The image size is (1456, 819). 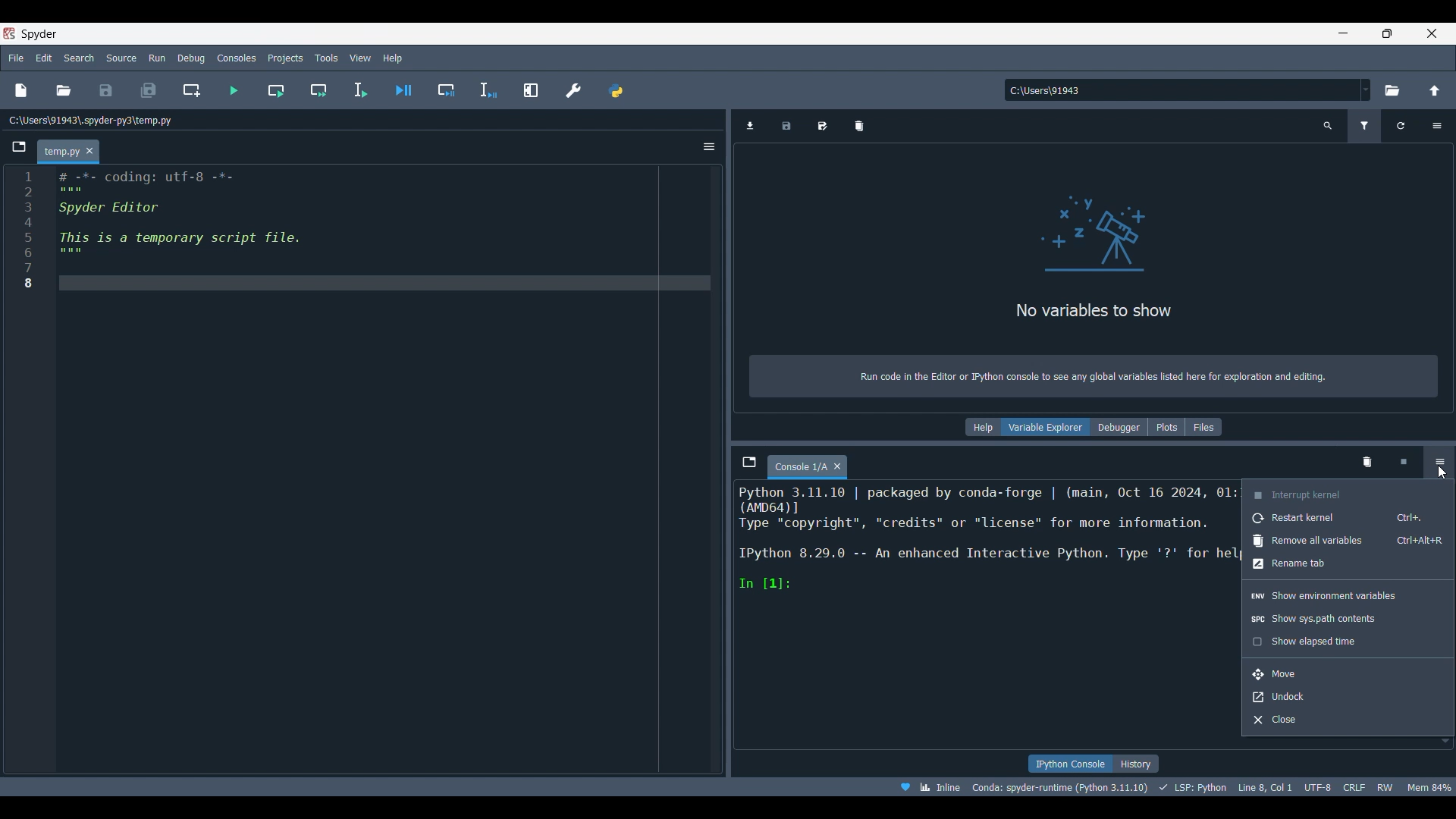 I want to click on Close tab, so click(x=837, y=466).